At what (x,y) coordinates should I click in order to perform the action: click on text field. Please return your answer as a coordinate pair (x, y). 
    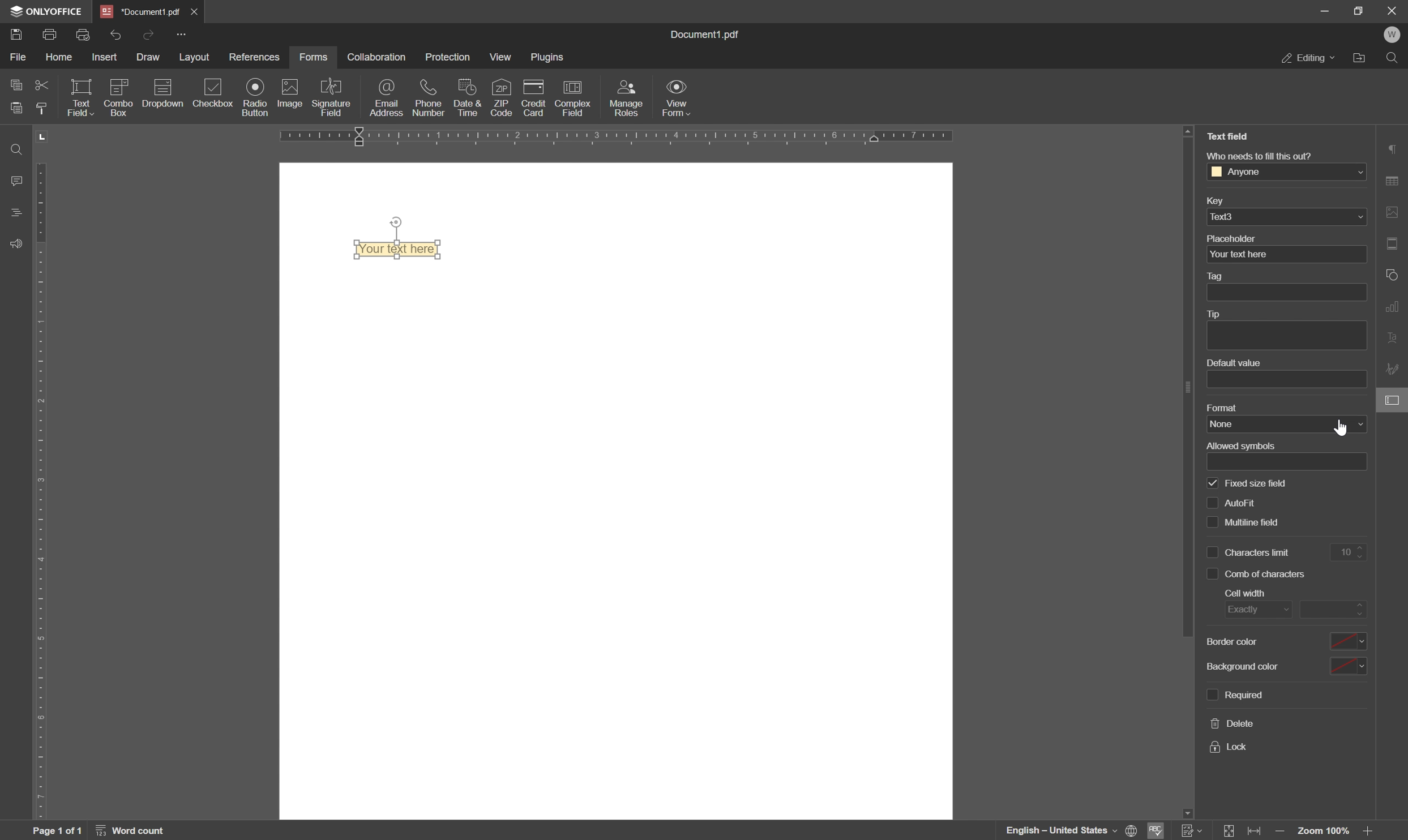
    Looking at the image, I should click on (80, 97).